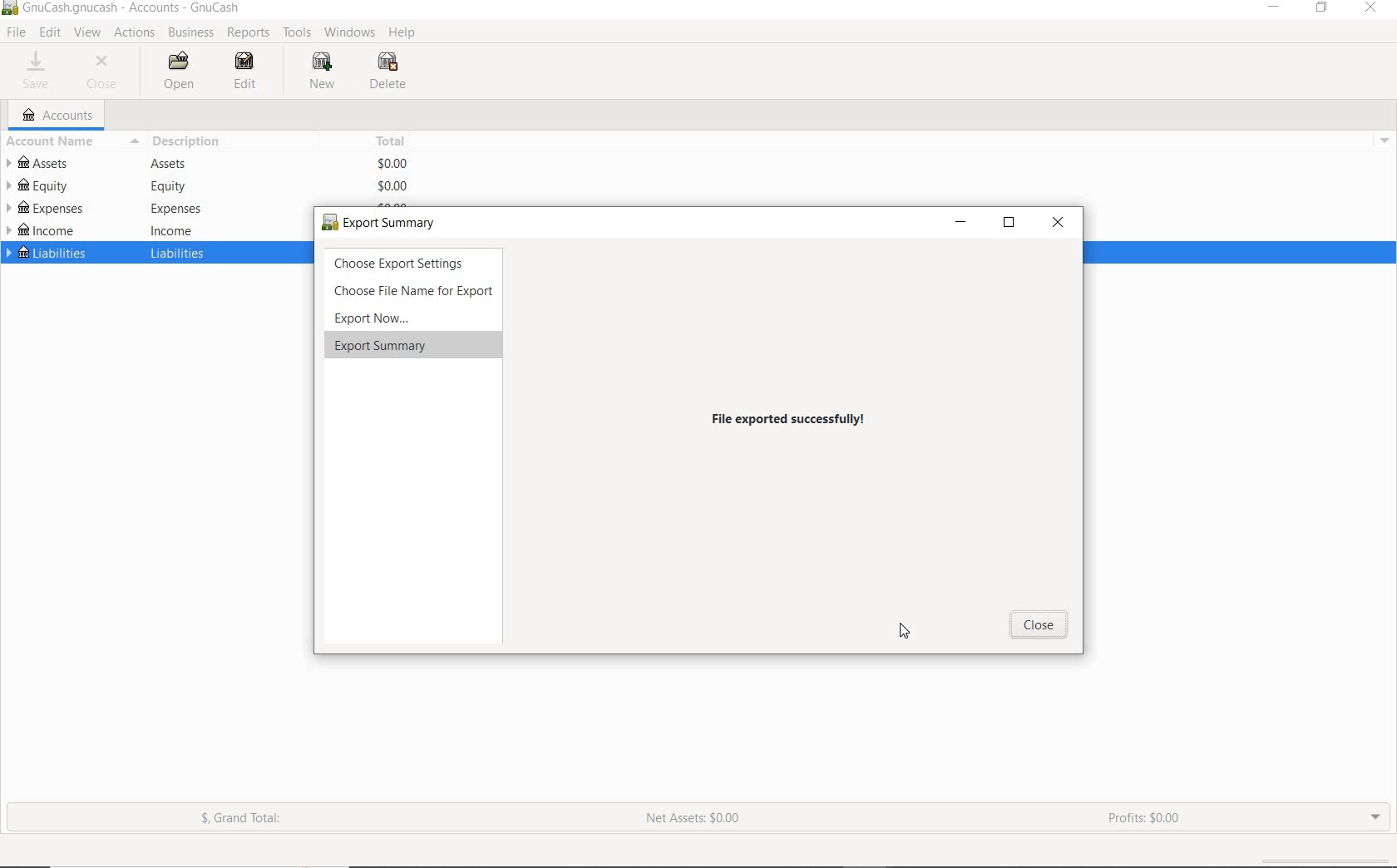 This screenshot has height=868, width=1397. What do you see at coordinates (55, 115) in the screenshot?
I see `ACCOUNTS` at bounding box center [55, 115].